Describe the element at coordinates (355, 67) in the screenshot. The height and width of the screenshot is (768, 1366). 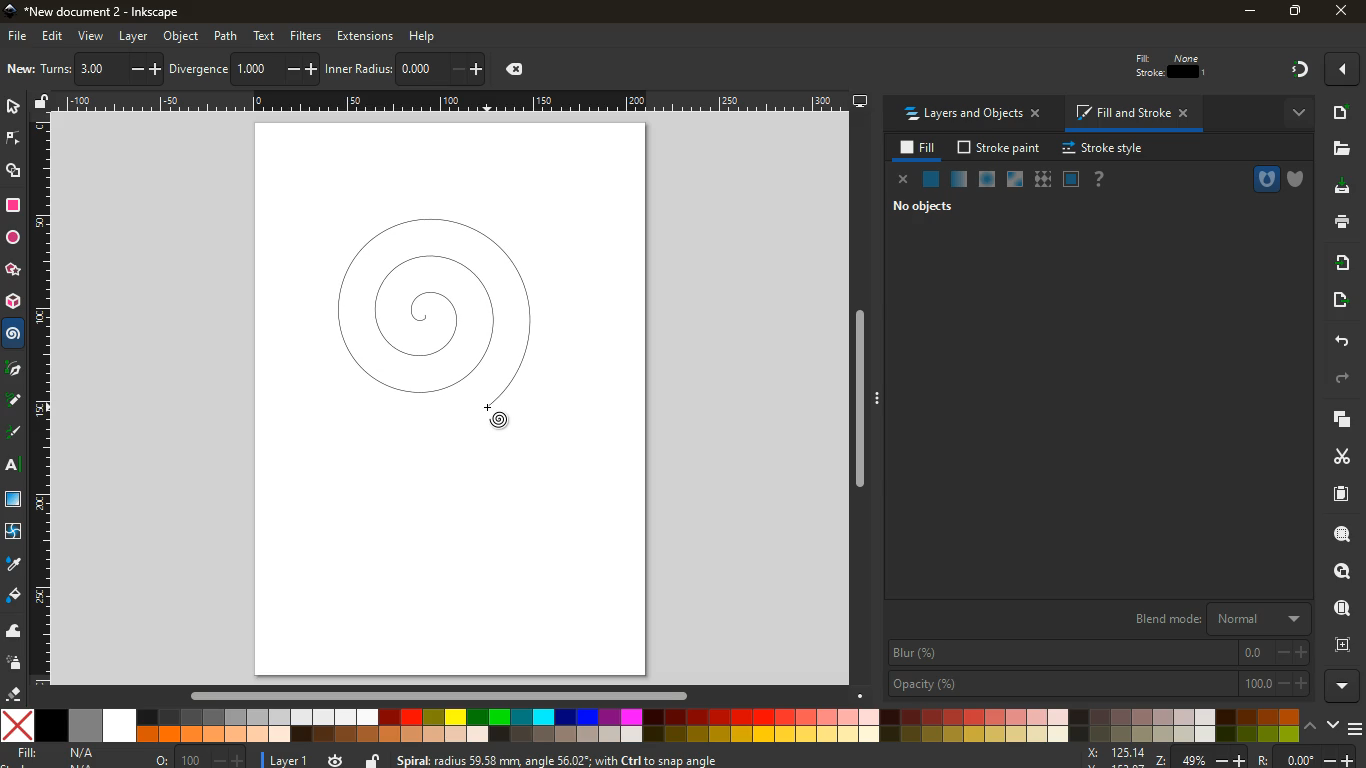
I see `` at that location.